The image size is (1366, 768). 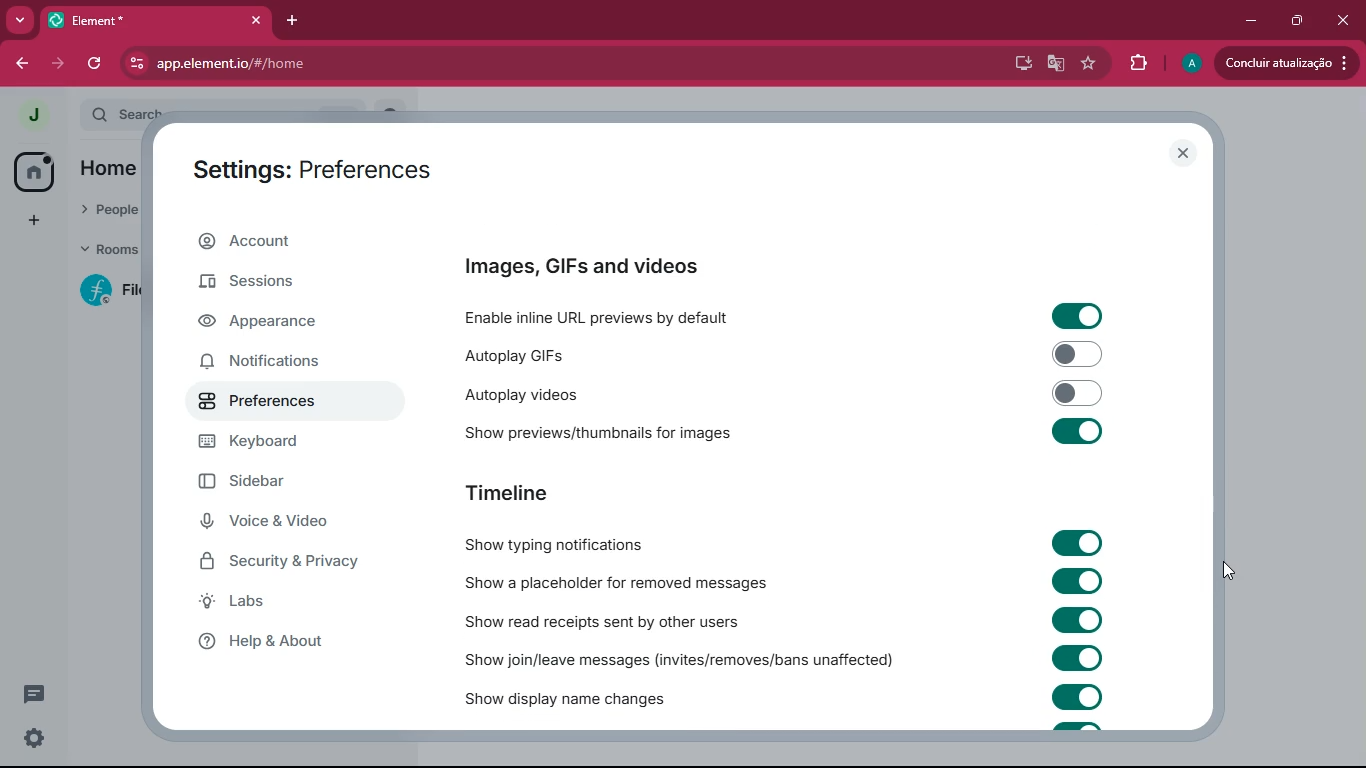 I want to click on show previews/thumbnails for images, so click(x=625, y=430).